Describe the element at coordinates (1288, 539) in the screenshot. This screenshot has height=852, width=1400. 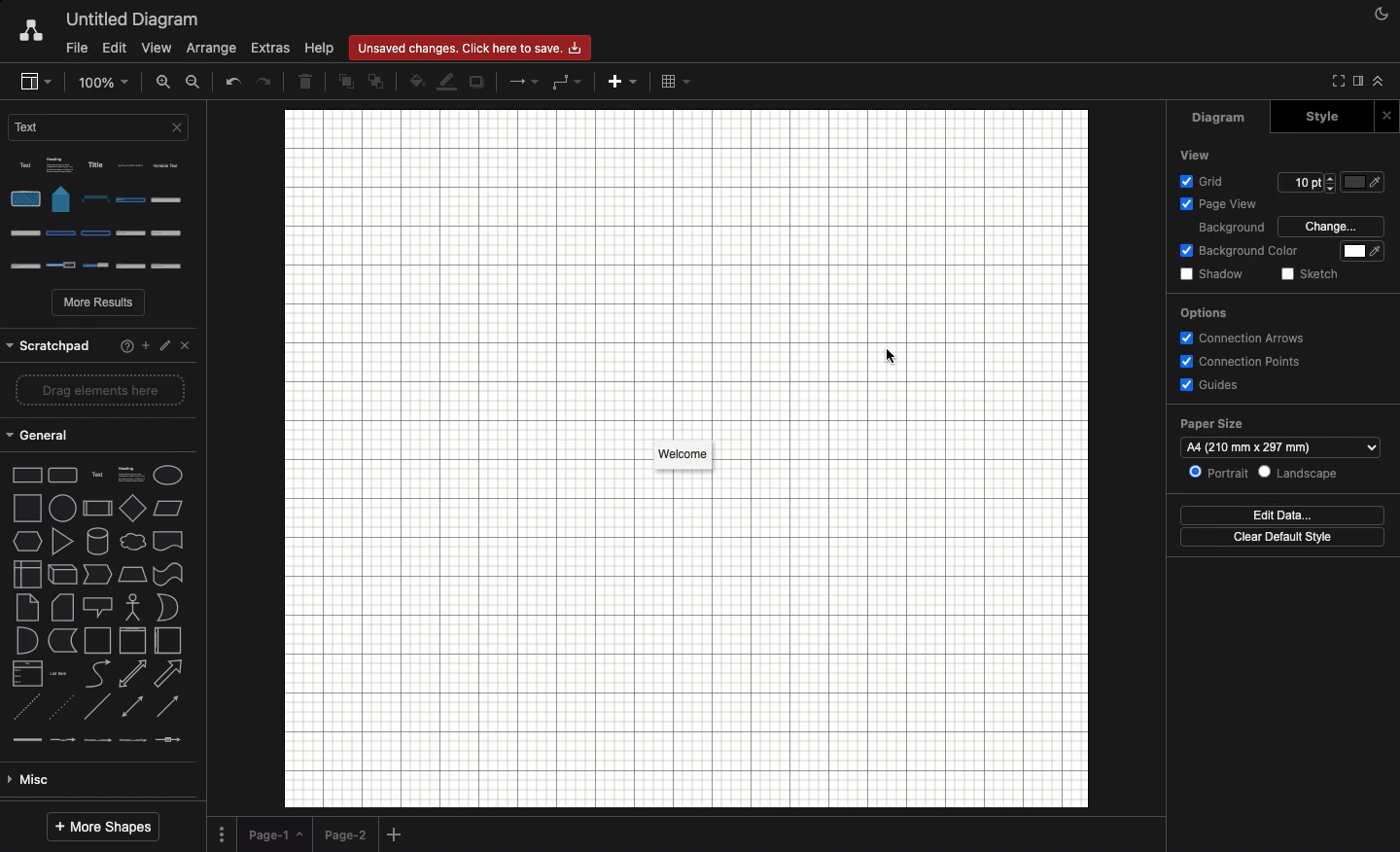
I see `Change default style` at that location.